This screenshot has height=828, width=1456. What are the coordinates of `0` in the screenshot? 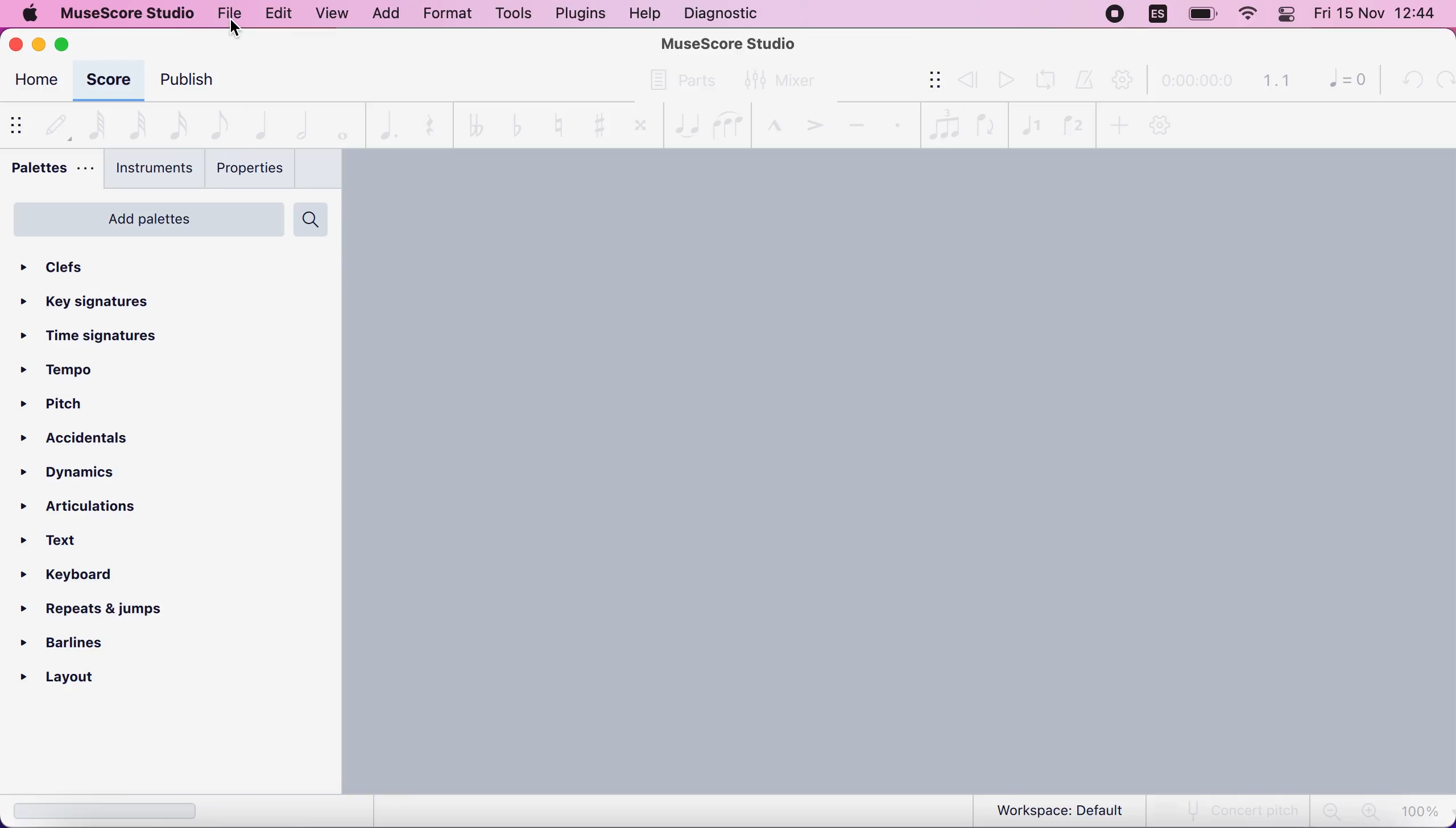 It's located at (1342, 82).